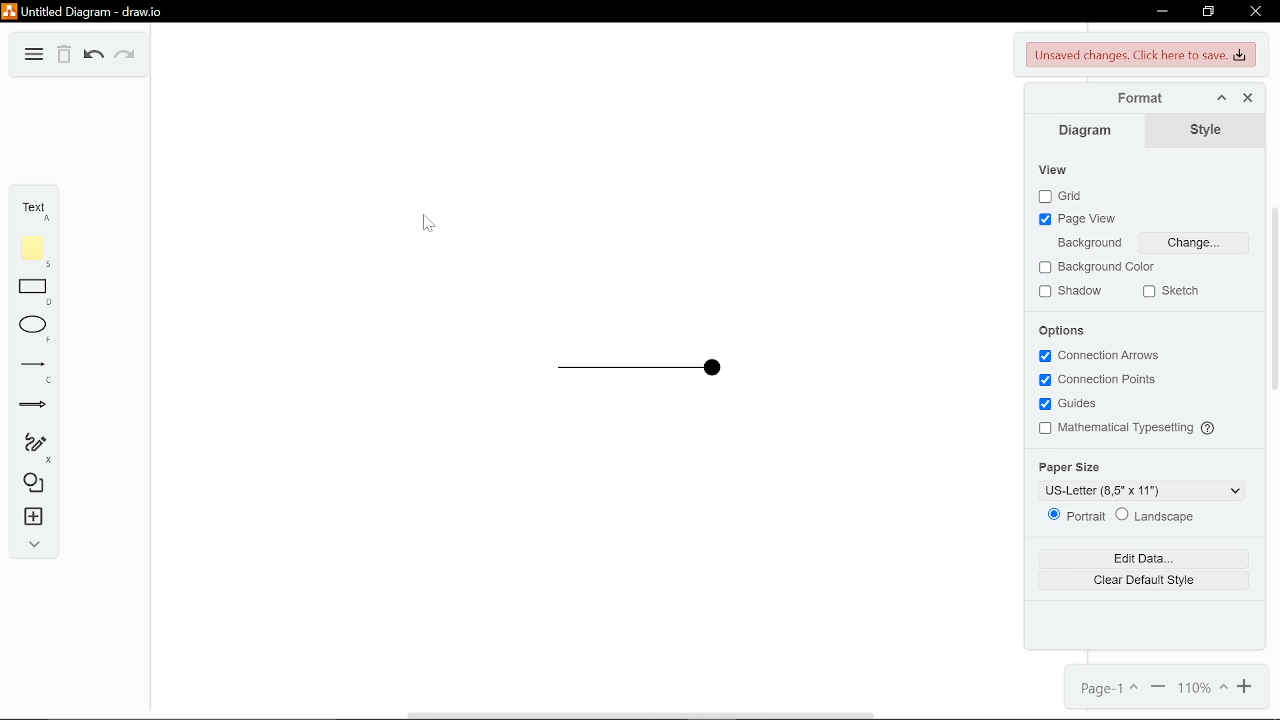 The height and width of the screenshot is (720, 1280). I want to click on Close, so click(1256, 13).